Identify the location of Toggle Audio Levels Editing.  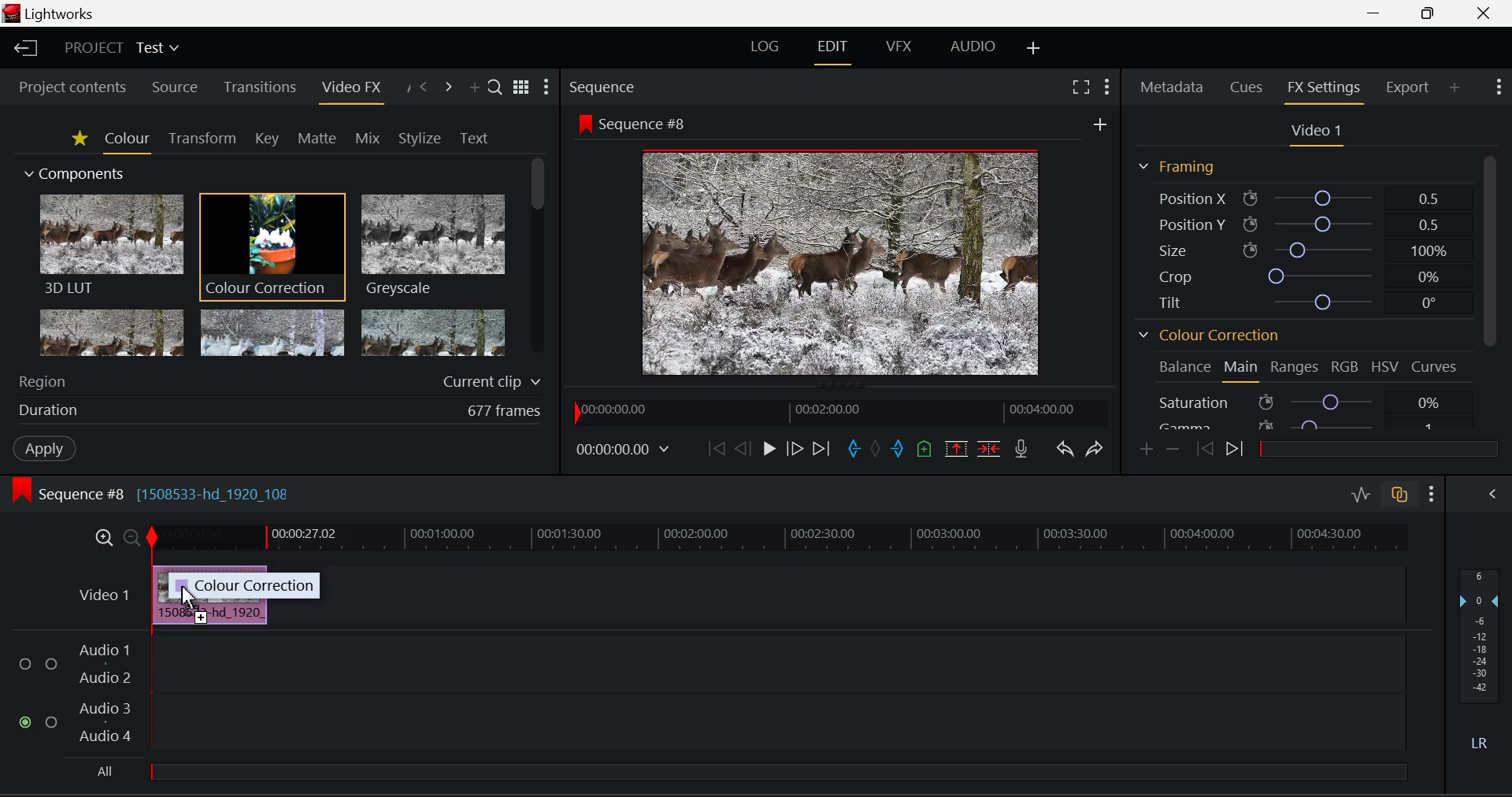
(1360, 498).